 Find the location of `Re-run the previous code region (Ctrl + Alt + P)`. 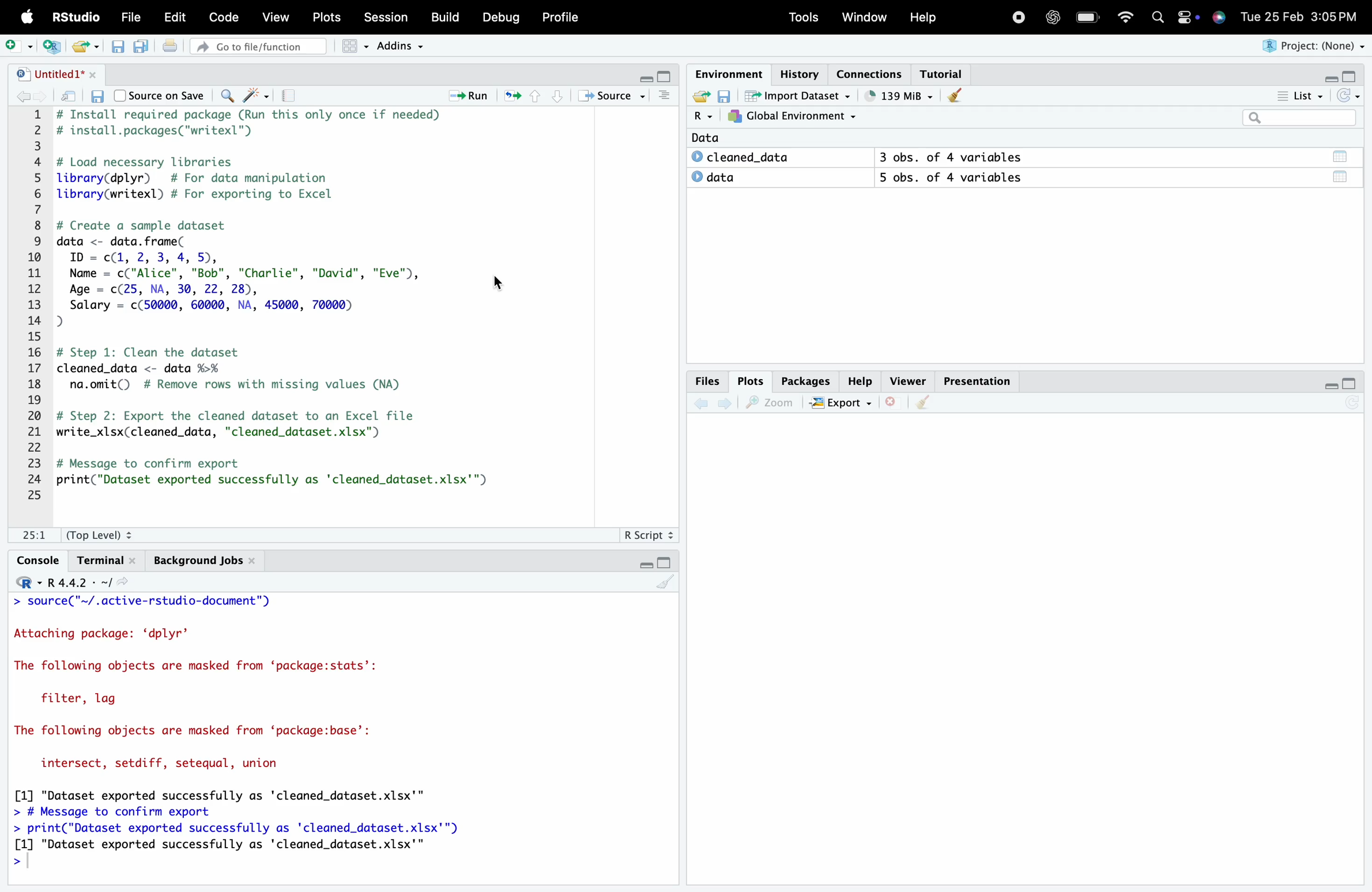

Re-run the previous code region (Ctrl + Alt + P) is located at coordinates (510, 96).